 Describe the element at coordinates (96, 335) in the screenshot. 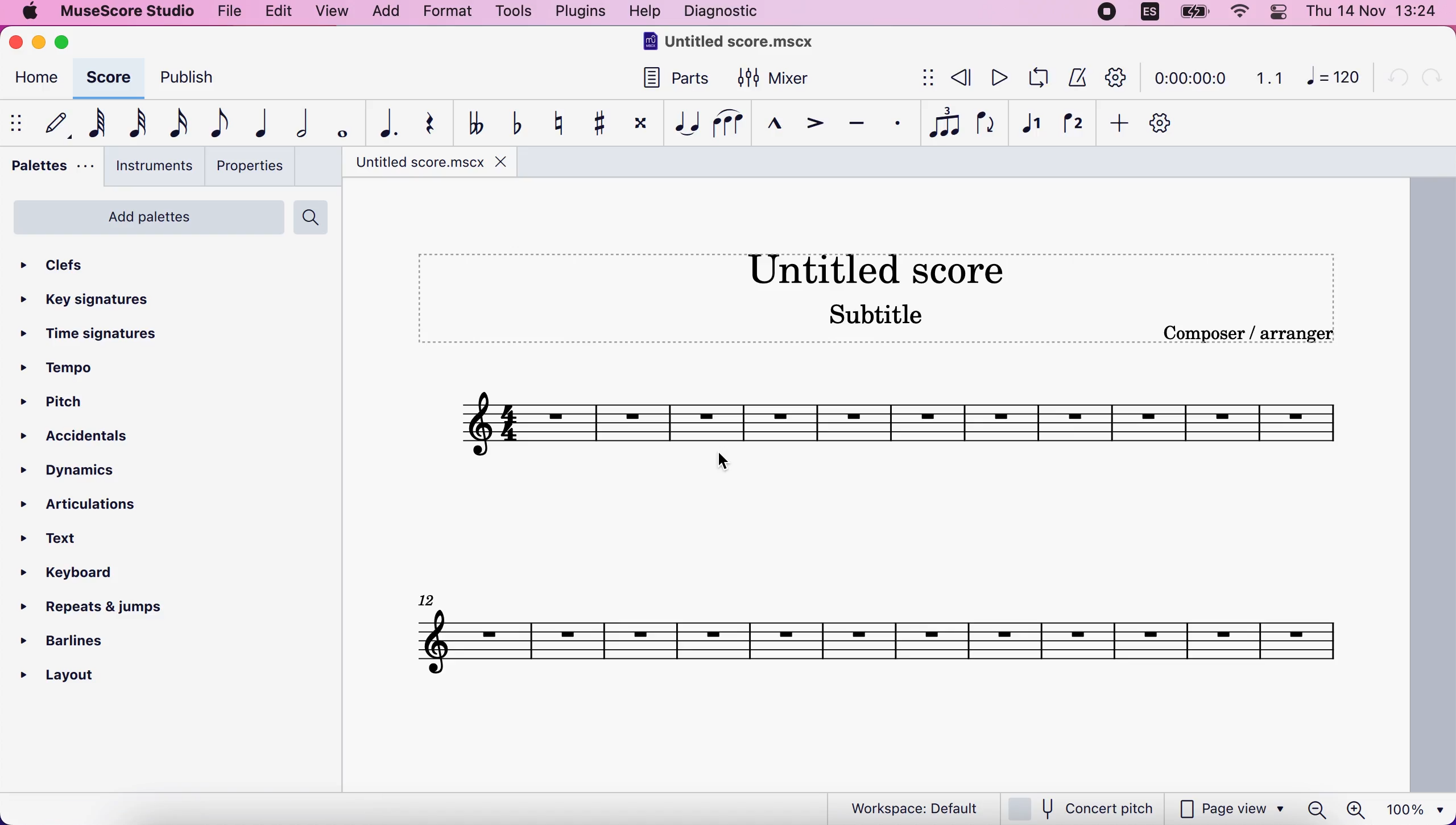

I see `time signatures` at that location.